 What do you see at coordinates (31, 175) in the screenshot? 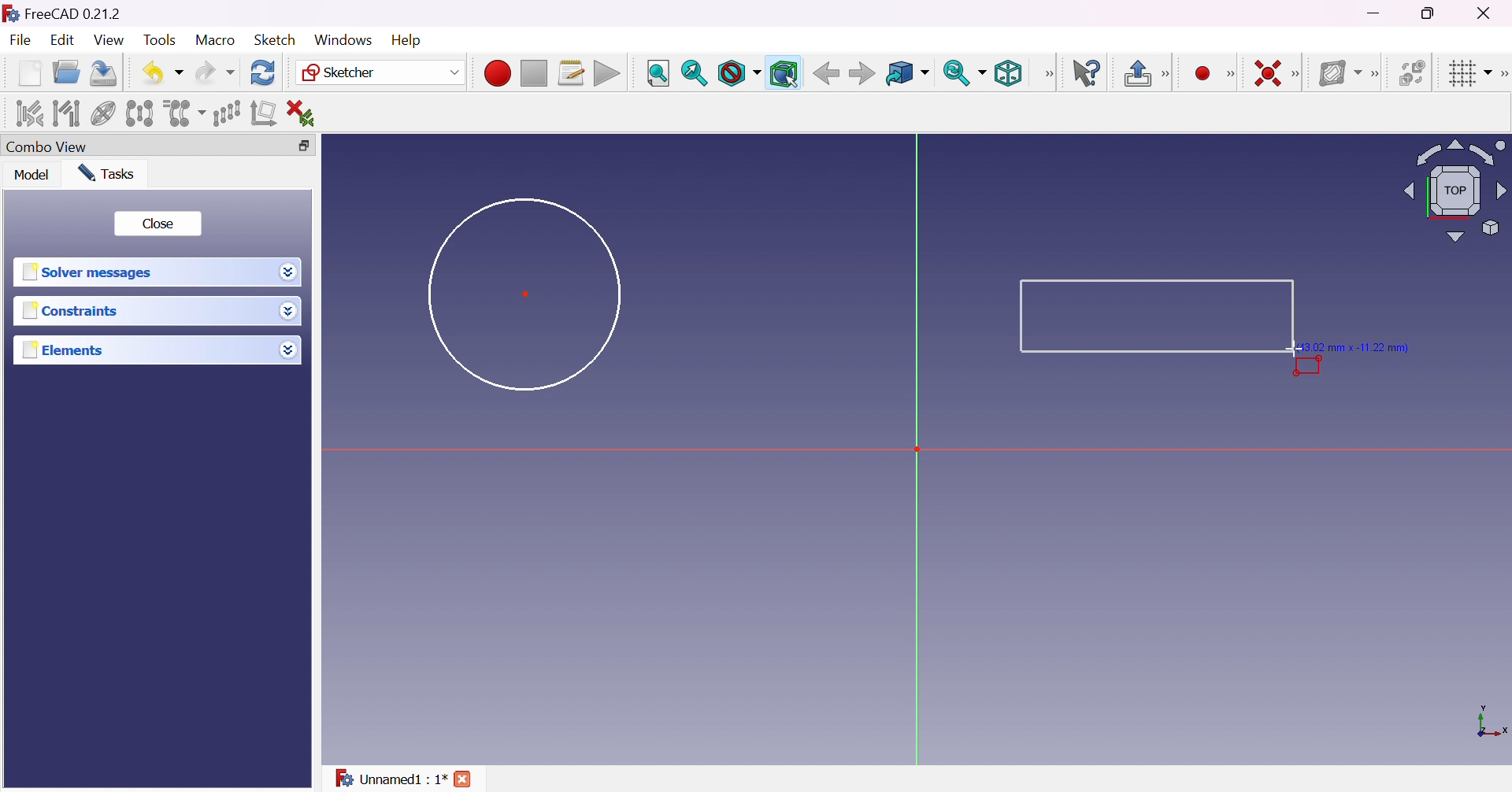
I see `Model` at bounding box center [31, 175].